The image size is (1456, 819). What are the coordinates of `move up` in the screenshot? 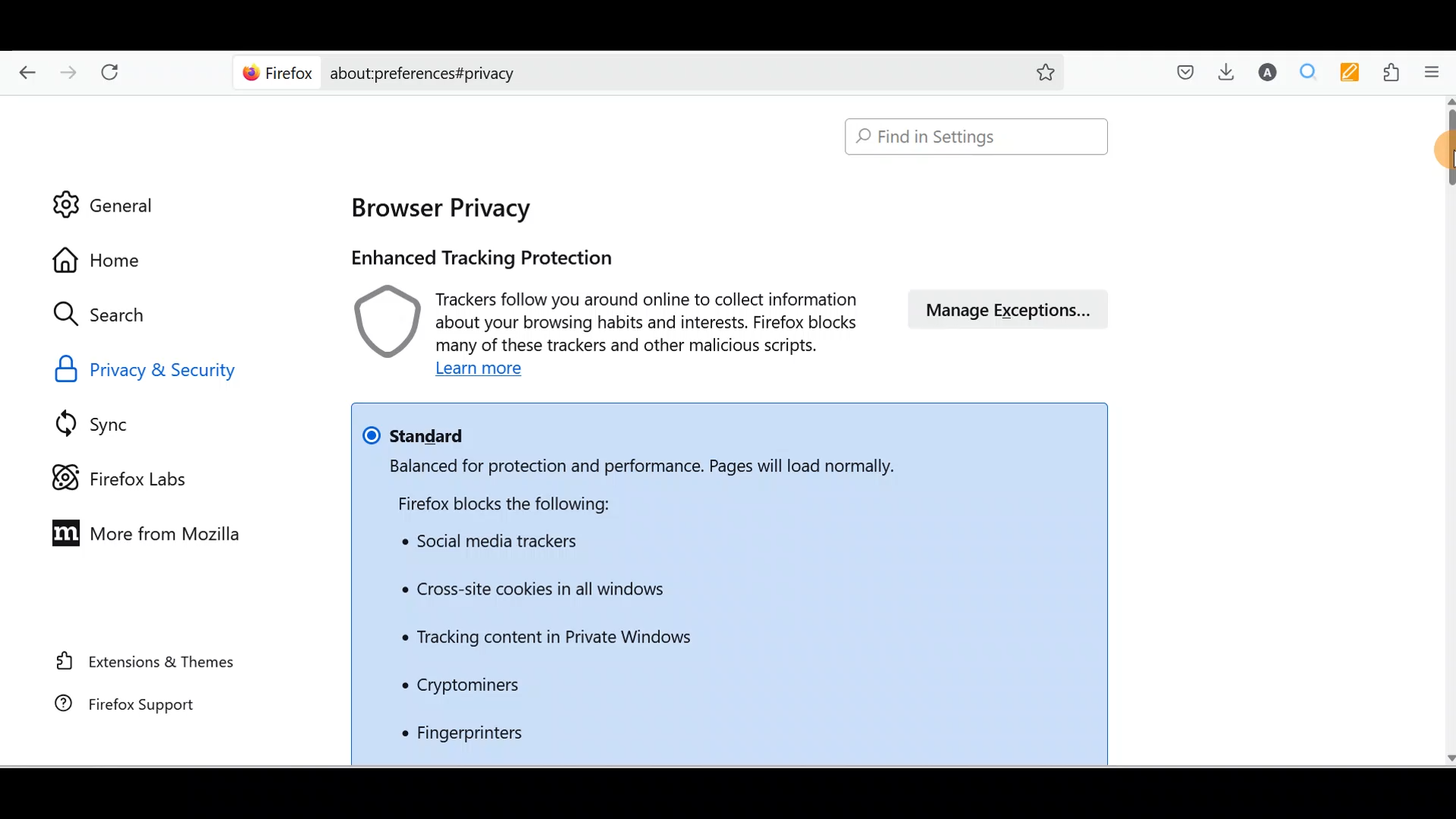 It's located at (1447, 101).